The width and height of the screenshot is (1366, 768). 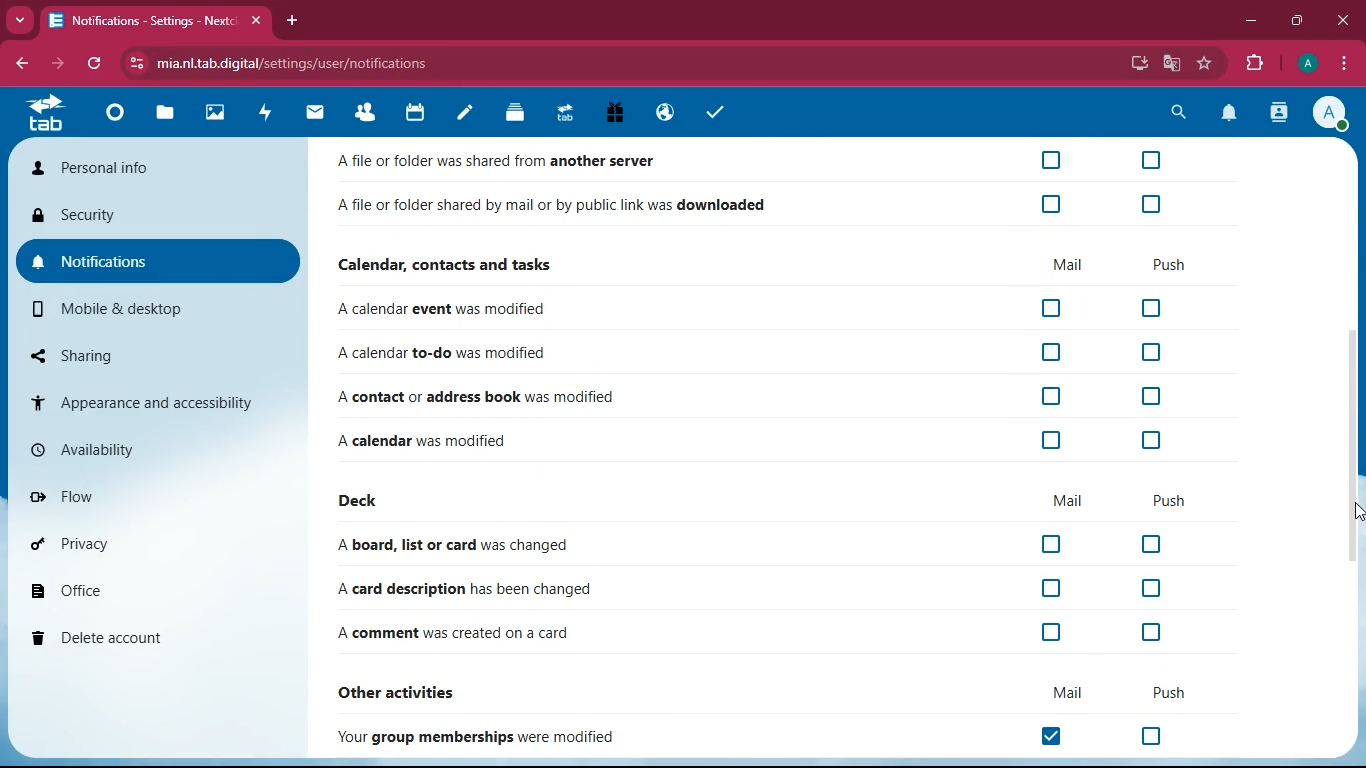 What do you see at coordinates (151, 588) in the screenshot?
I see `office` at bounding box center [151, 588].